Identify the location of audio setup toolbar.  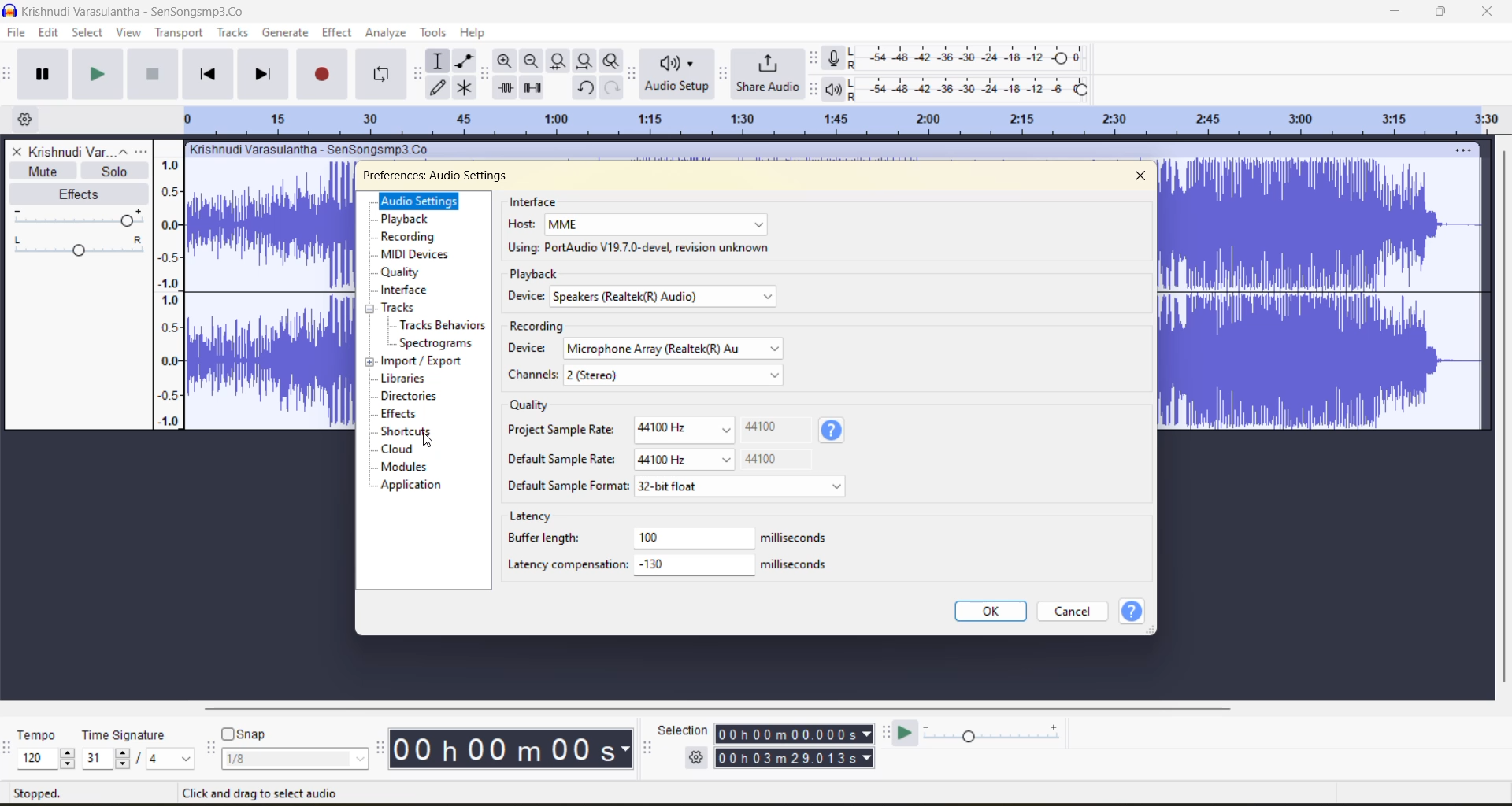
(632, 73).